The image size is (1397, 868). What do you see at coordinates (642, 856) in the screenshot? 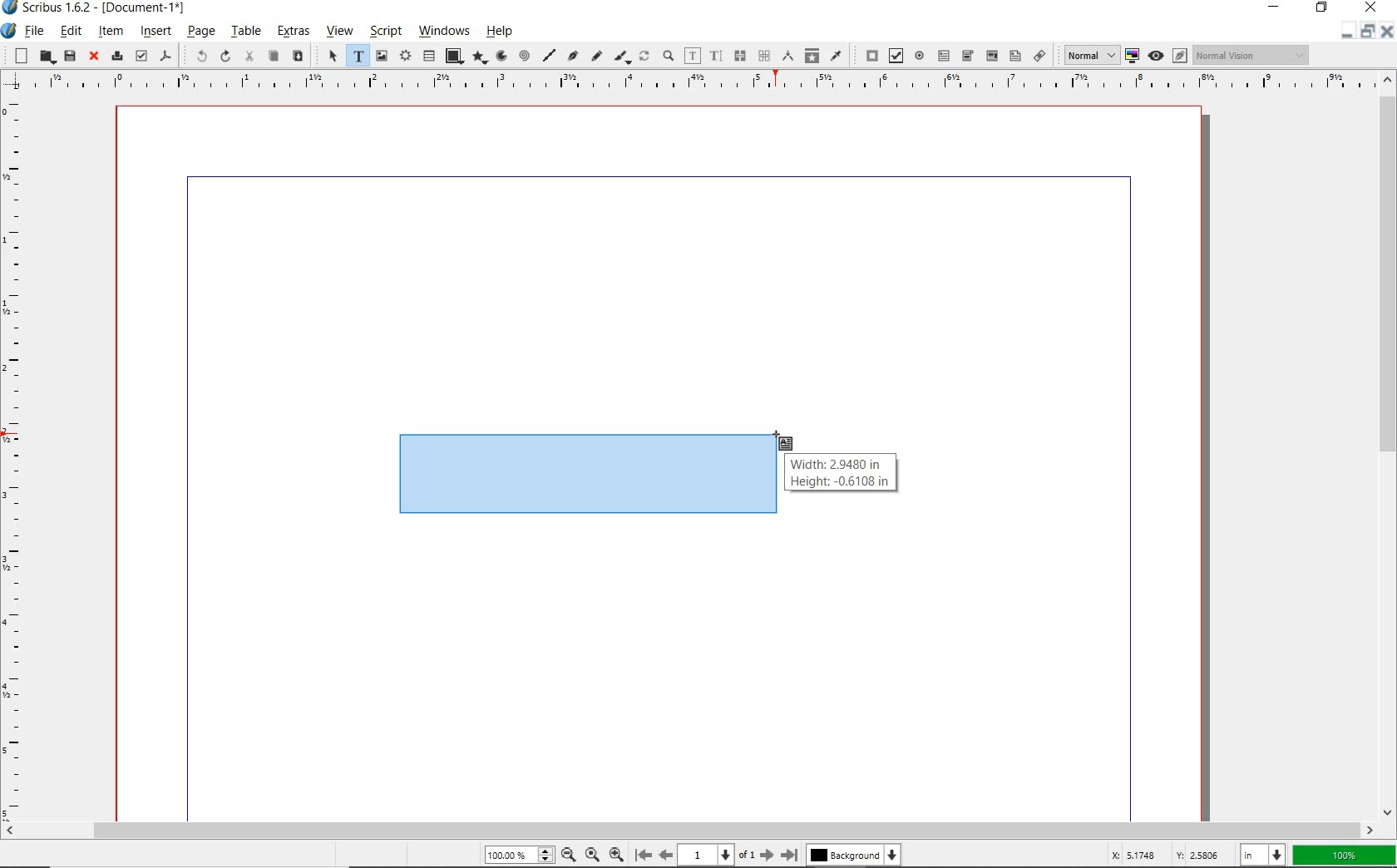
I see `First page` at bounding box center [642, 856].